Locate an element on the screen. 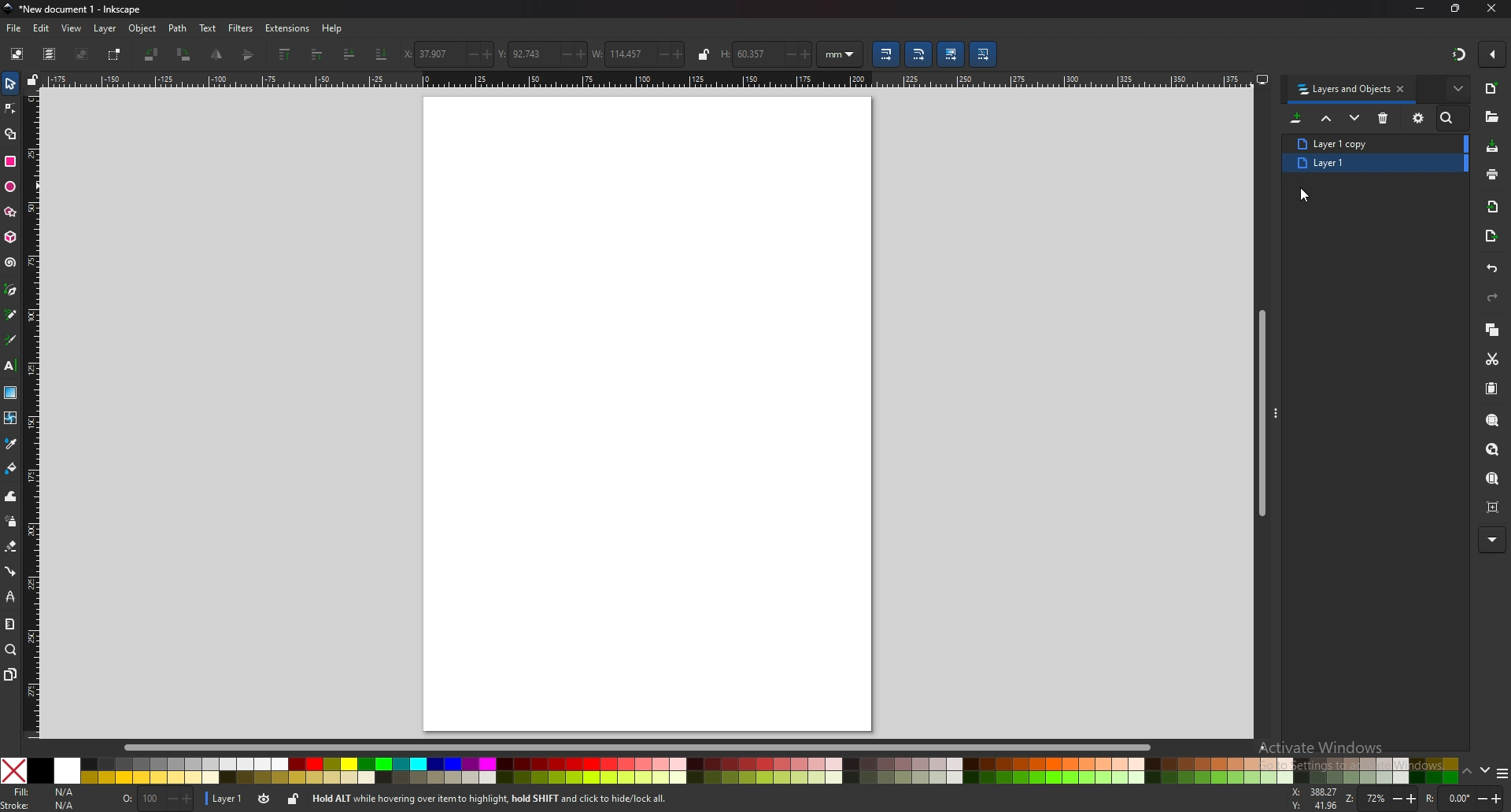 The height and width of the screenshot is (812, 1511). duplicated layer is located at coordinates (1367, 166).